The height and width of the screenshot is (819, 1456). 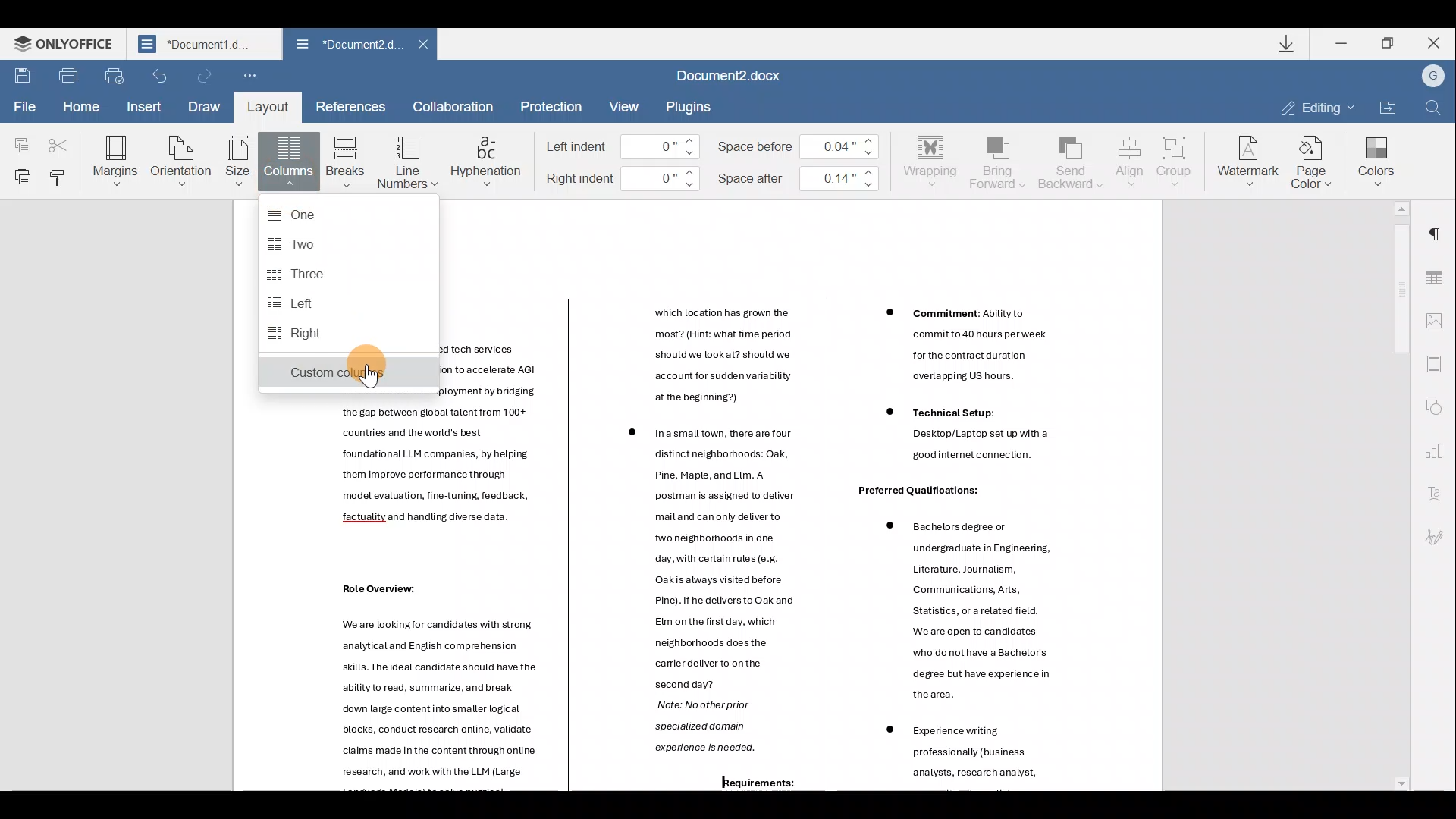 I want to click on Breaks, so click(x=344, y=162).